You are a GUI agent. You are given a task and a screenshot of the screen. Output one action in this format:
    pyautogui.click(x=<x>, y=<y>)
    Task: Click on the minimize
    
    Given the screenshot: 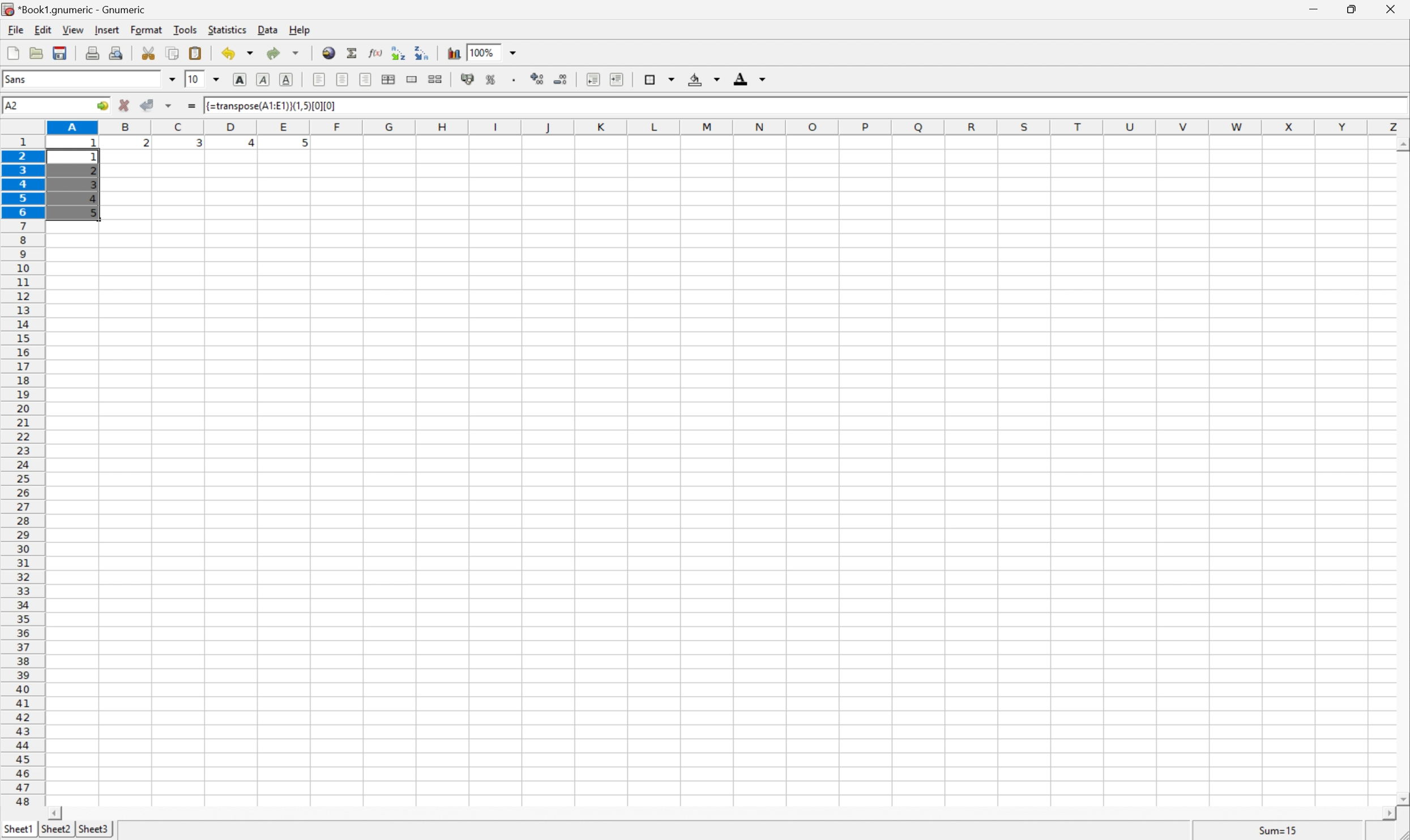 What is the action you would take?
    pyautogui.click(x=1319, y=10)
    